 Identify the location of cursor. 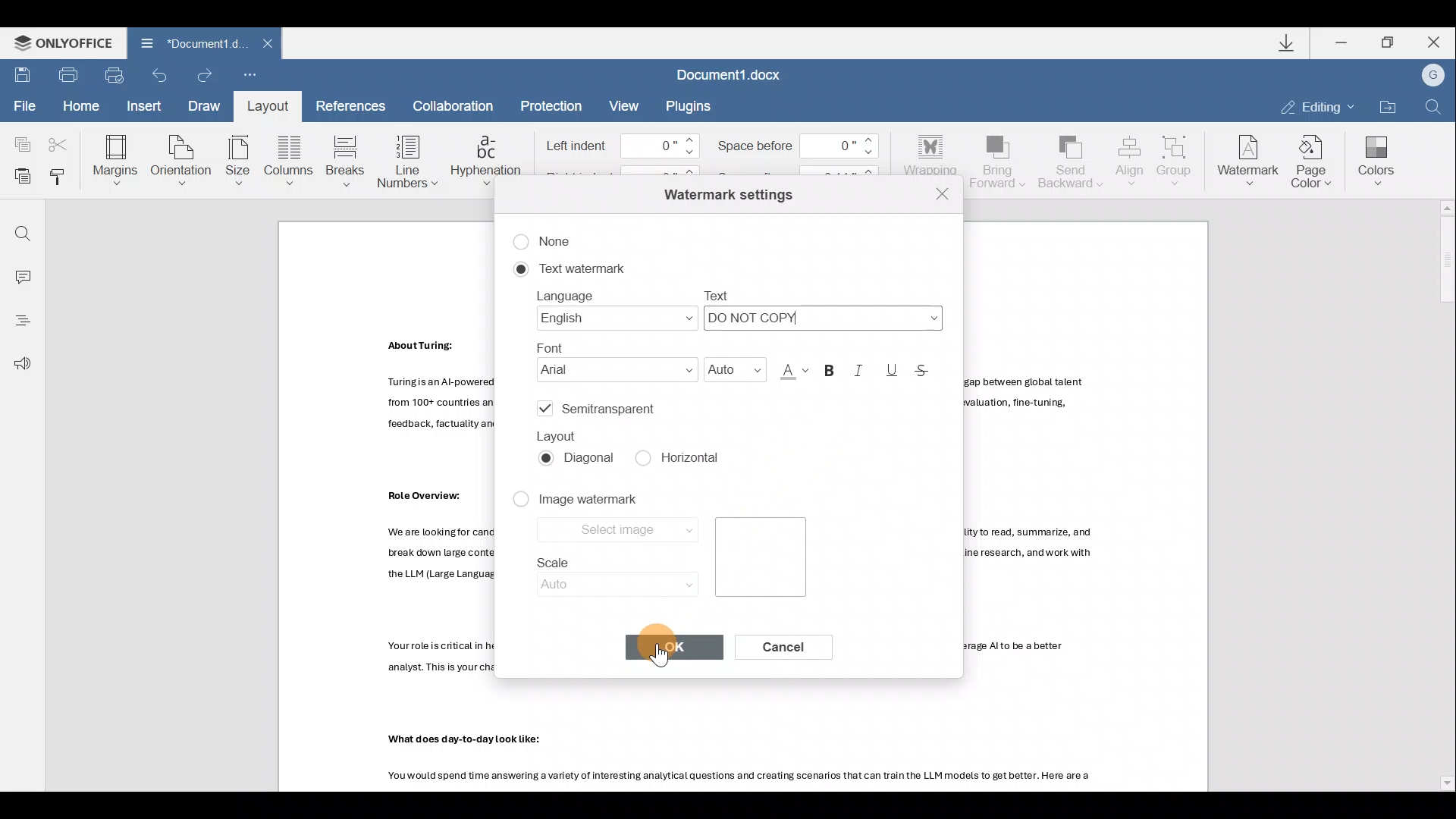
(661, 661).